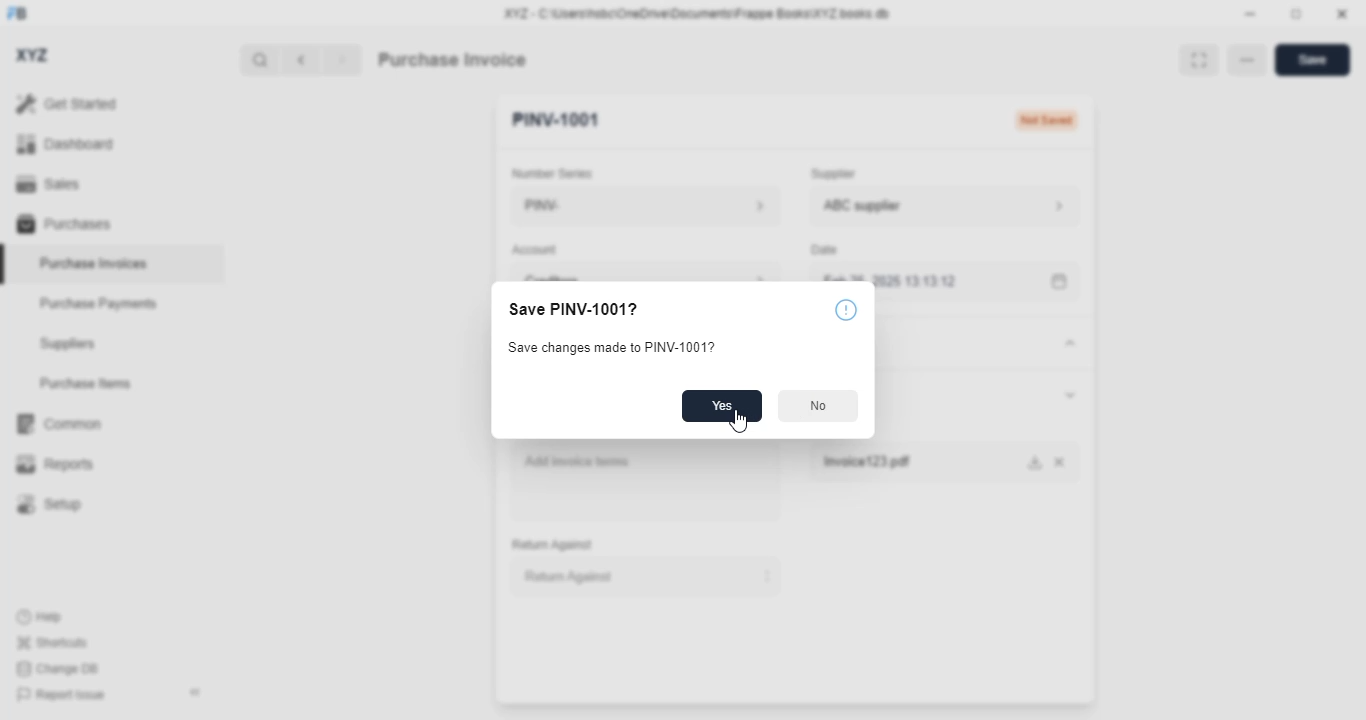 The image size is (1366, 720). What do you see at coordinates (261, 60) in the screenshot?
I see `search` at bounding box center [261, 60].